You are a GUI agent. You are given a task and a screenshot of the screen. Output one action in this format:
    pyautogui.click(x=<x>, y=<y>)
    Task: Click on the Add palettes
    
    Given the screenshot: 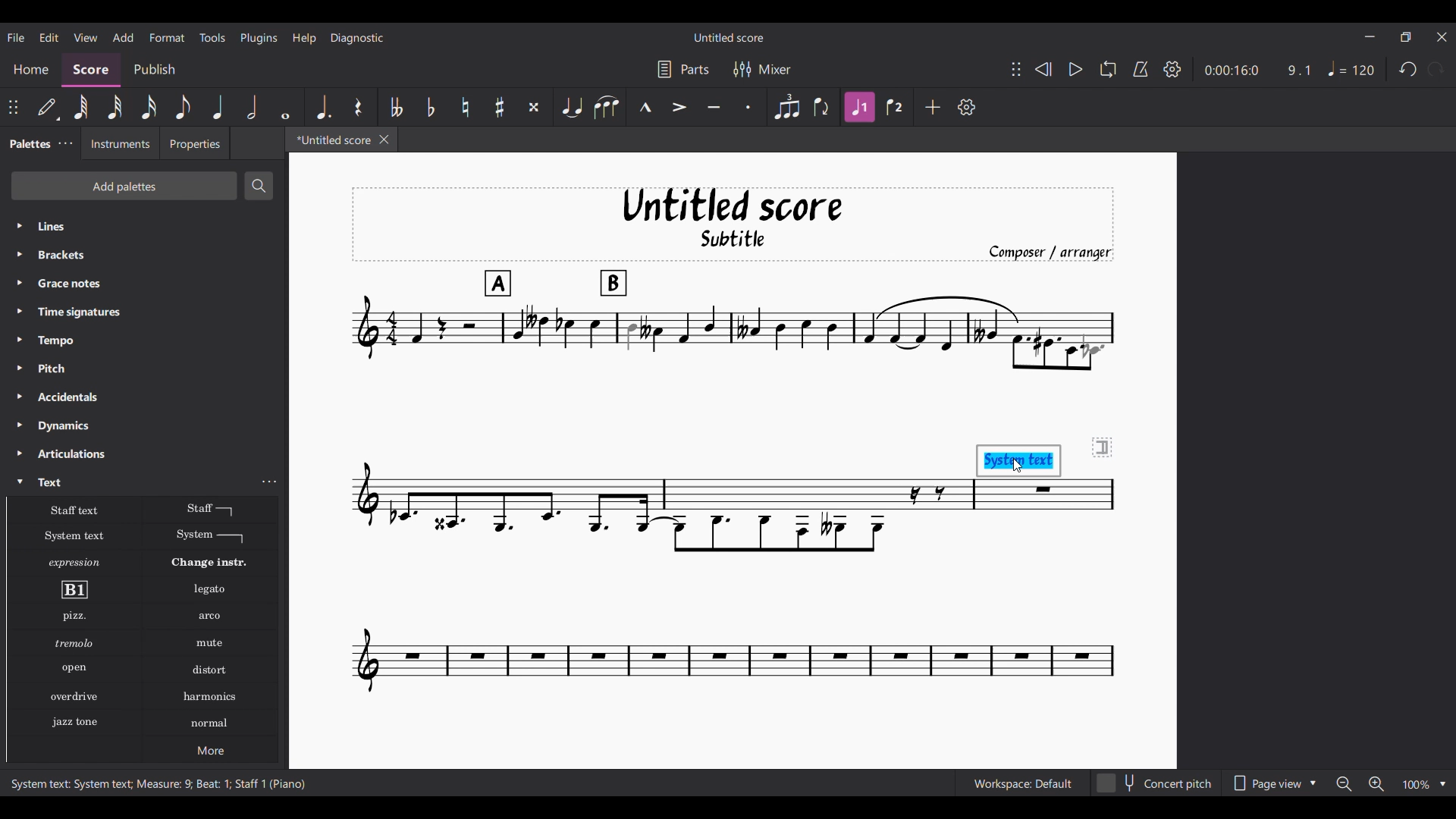 What is the action you would take?
    pyautogui.click(x=124, y=186)
    